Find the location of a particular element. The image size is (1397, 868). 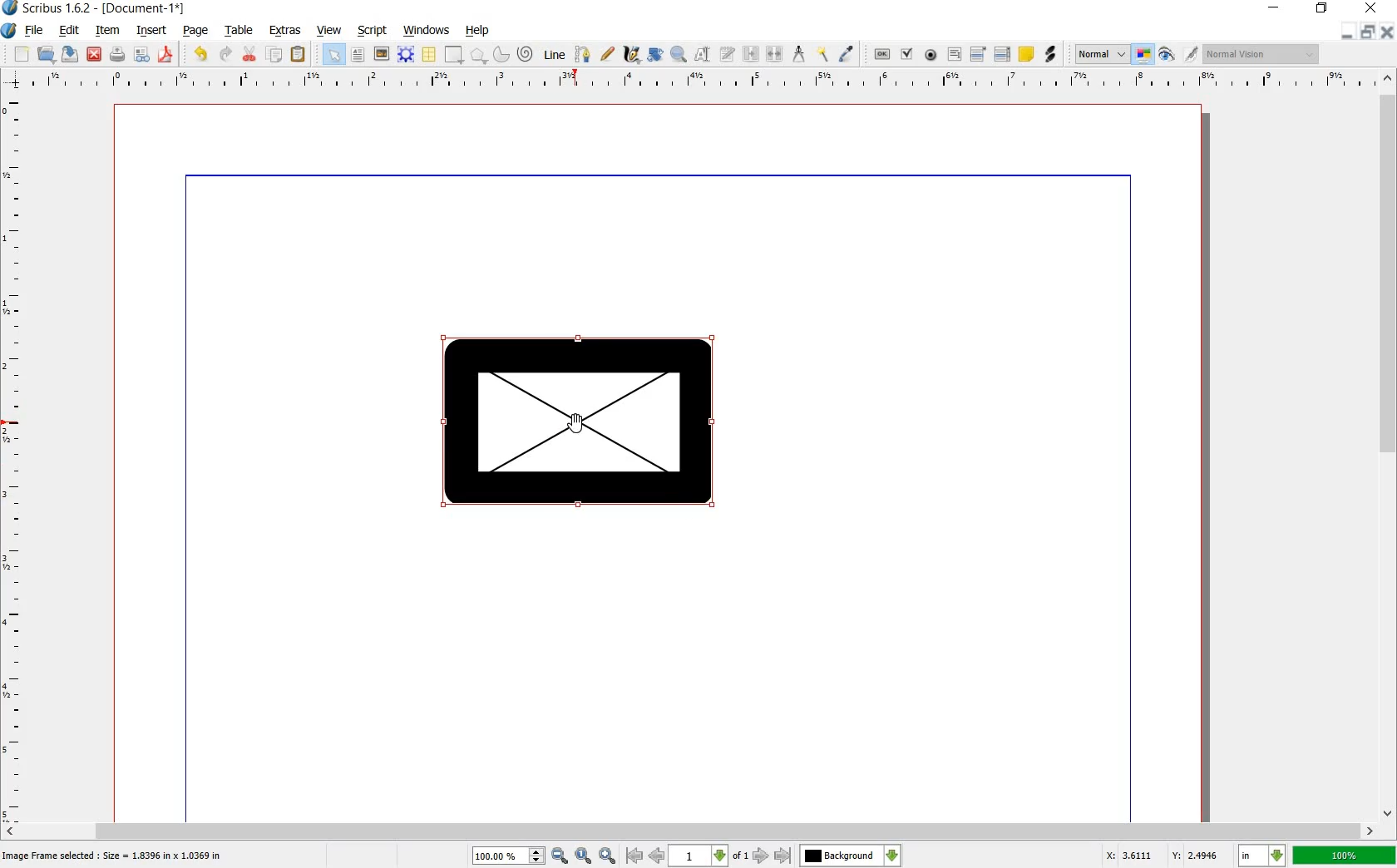

FRAME and shape is located at coordinates (578, 417).